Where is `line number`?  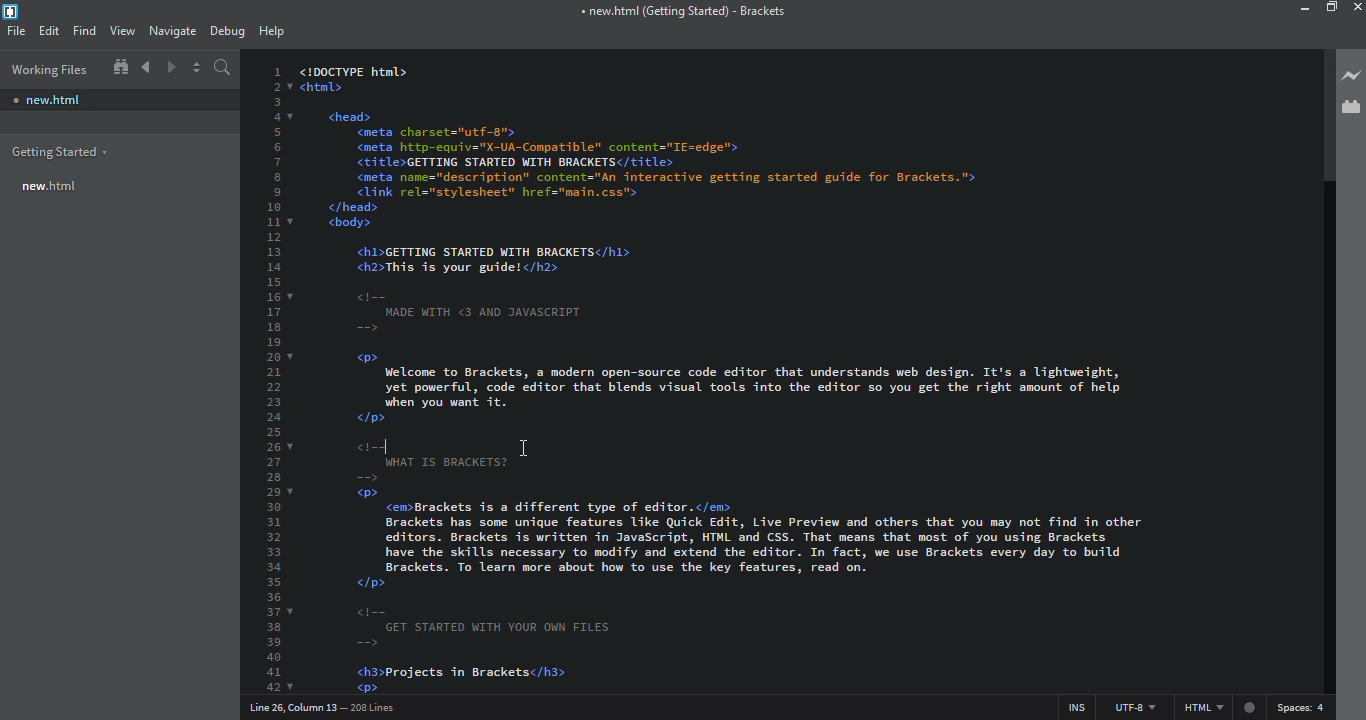 line number is located at coordinates (278, 377).